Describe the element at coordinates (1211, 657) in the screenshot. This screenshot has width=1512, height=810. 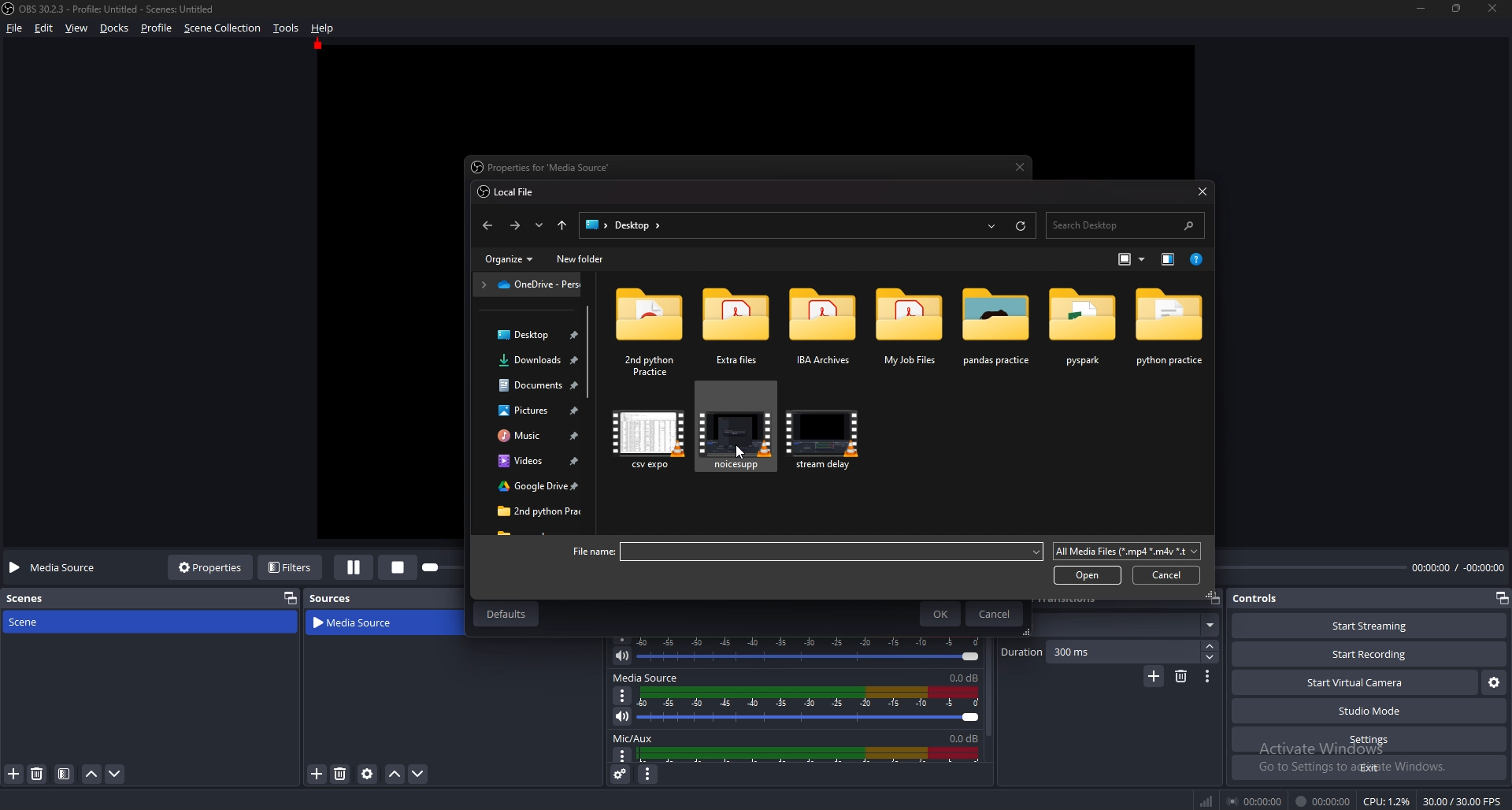
I see `Decrease duration` at that location.